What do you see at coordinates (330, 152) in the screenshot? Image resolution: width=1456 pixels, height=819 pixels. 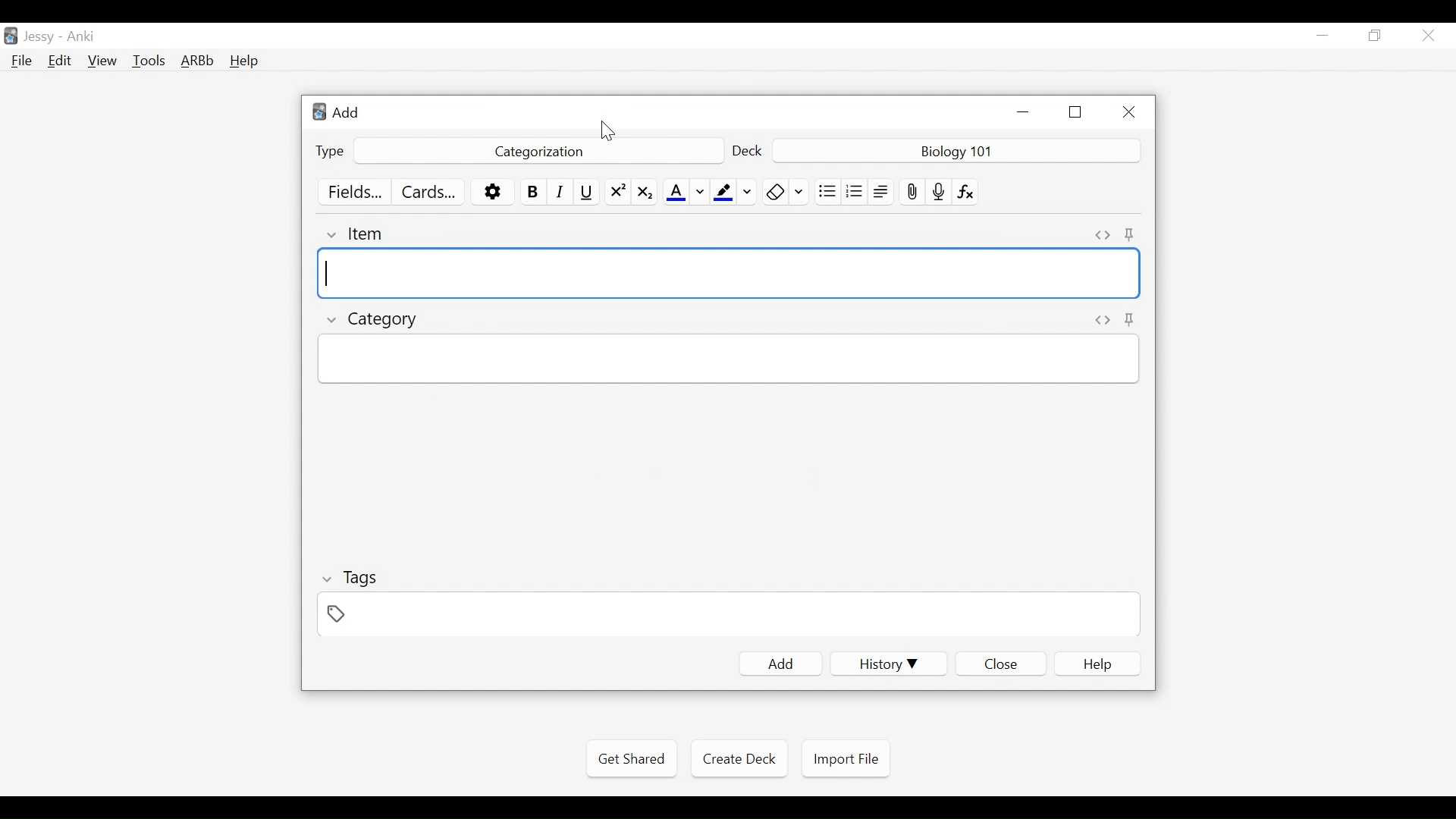 I see `Type` at bounding box center [330, 152].